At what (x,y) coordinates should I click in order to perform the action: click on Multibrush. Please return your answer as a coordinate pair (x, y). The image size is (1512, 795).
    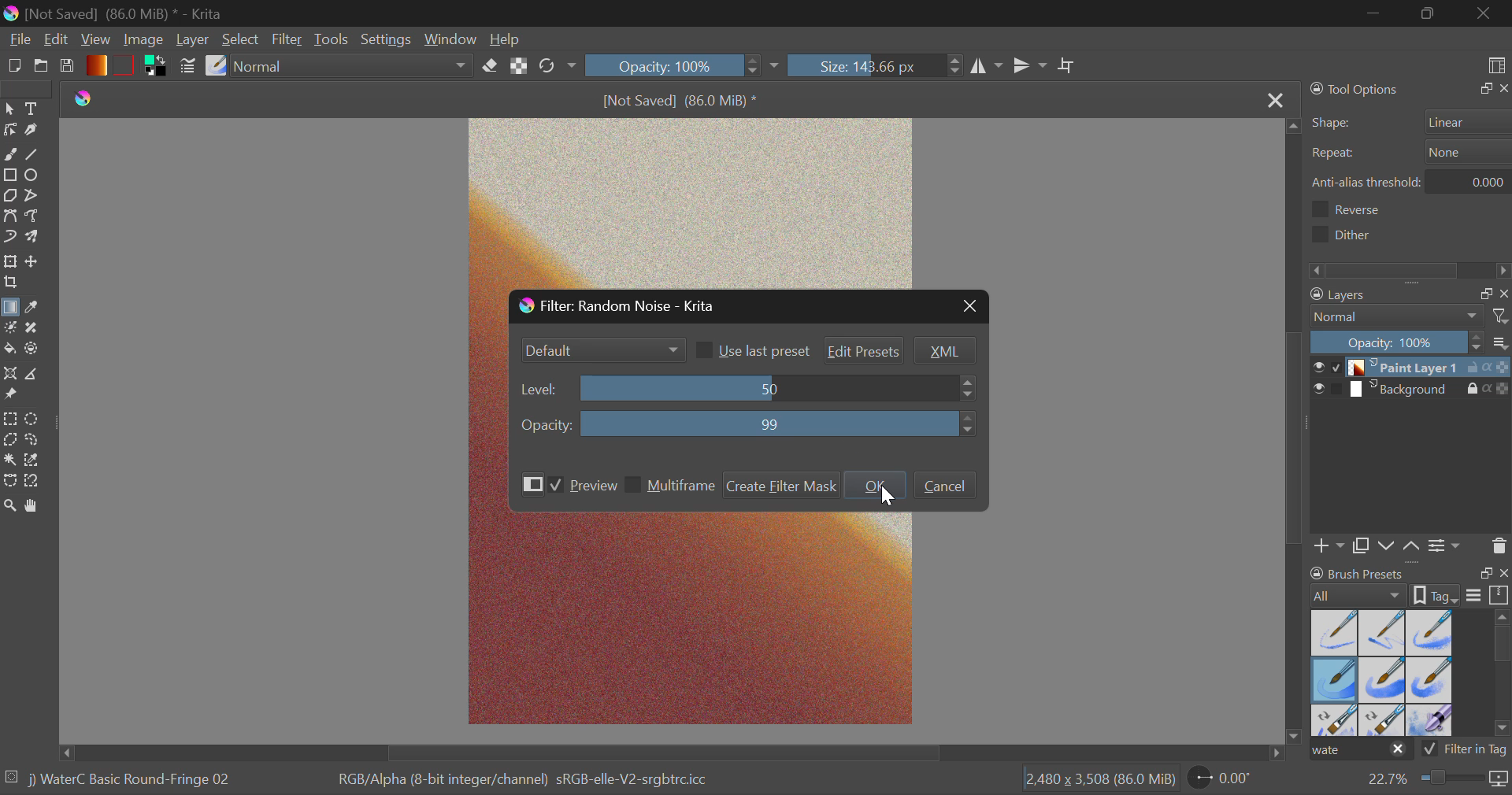
    Looking at the image, I should click on (34, 238).